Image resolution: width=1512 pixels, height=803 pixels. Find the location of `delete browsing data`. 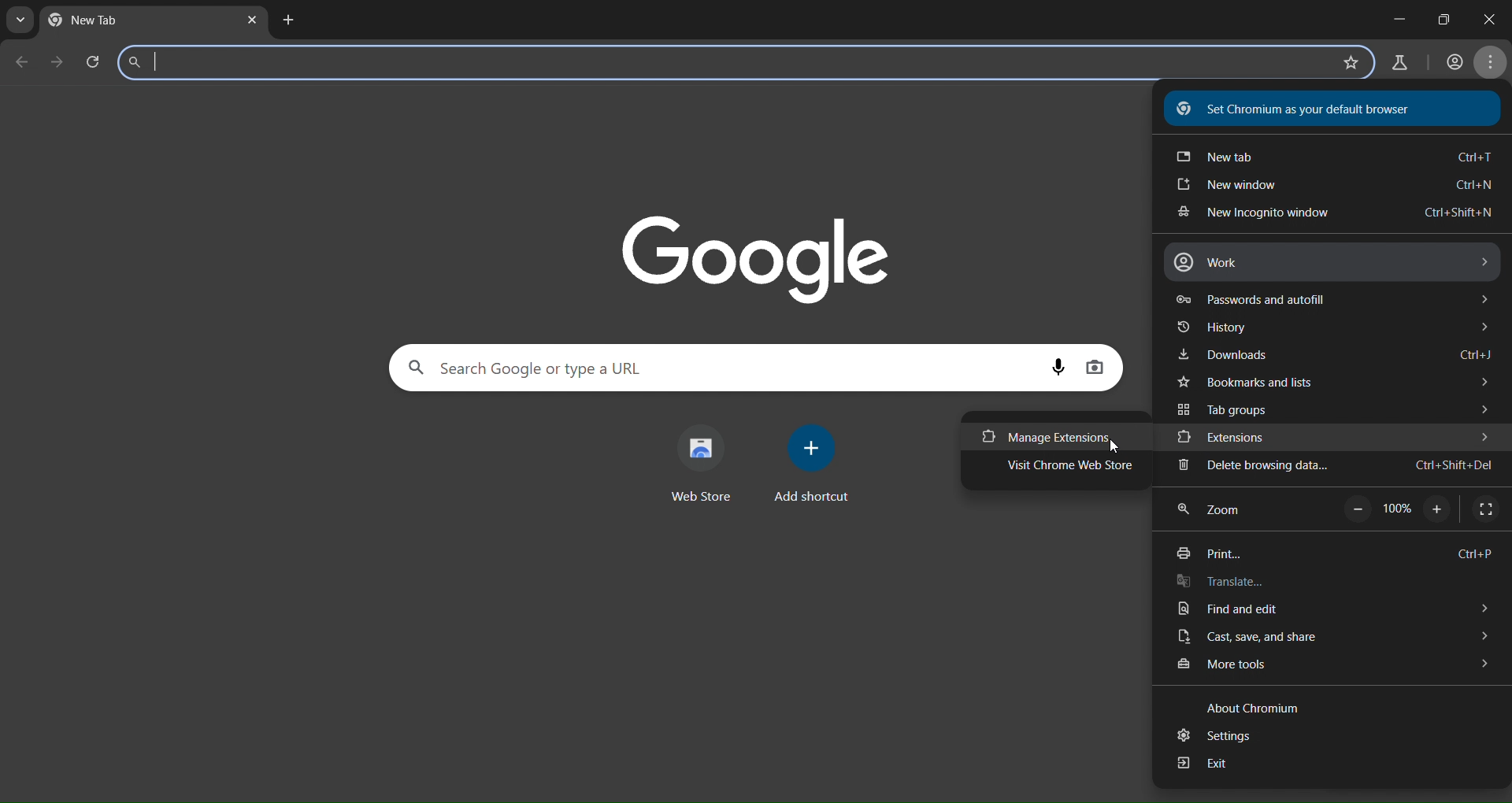

delete browsing data is located at coordinates (1331, 465).